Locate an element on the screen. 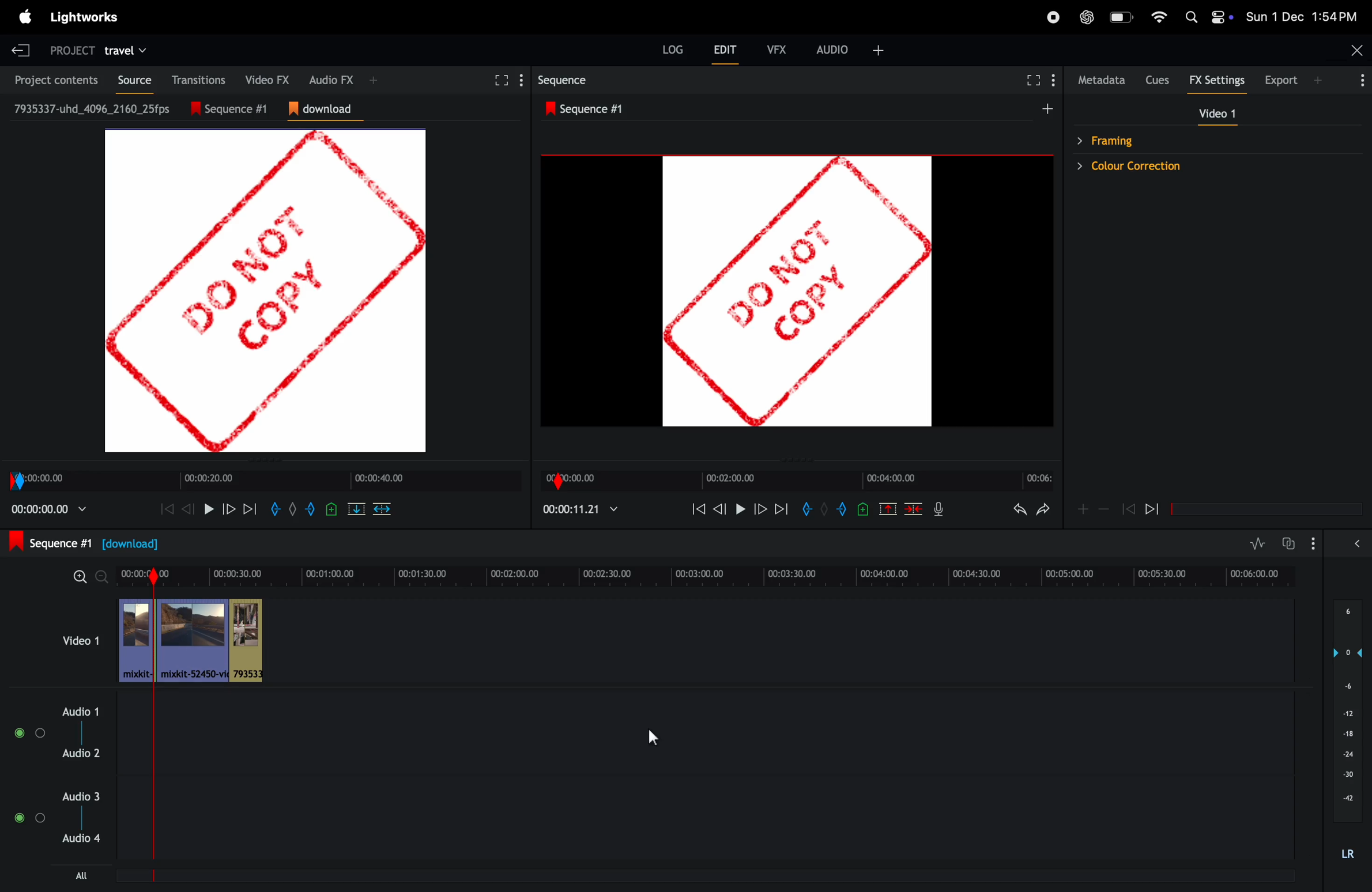 The height and width of the screenshot is (892, 1372). delete is located at coordinates (382, 509).